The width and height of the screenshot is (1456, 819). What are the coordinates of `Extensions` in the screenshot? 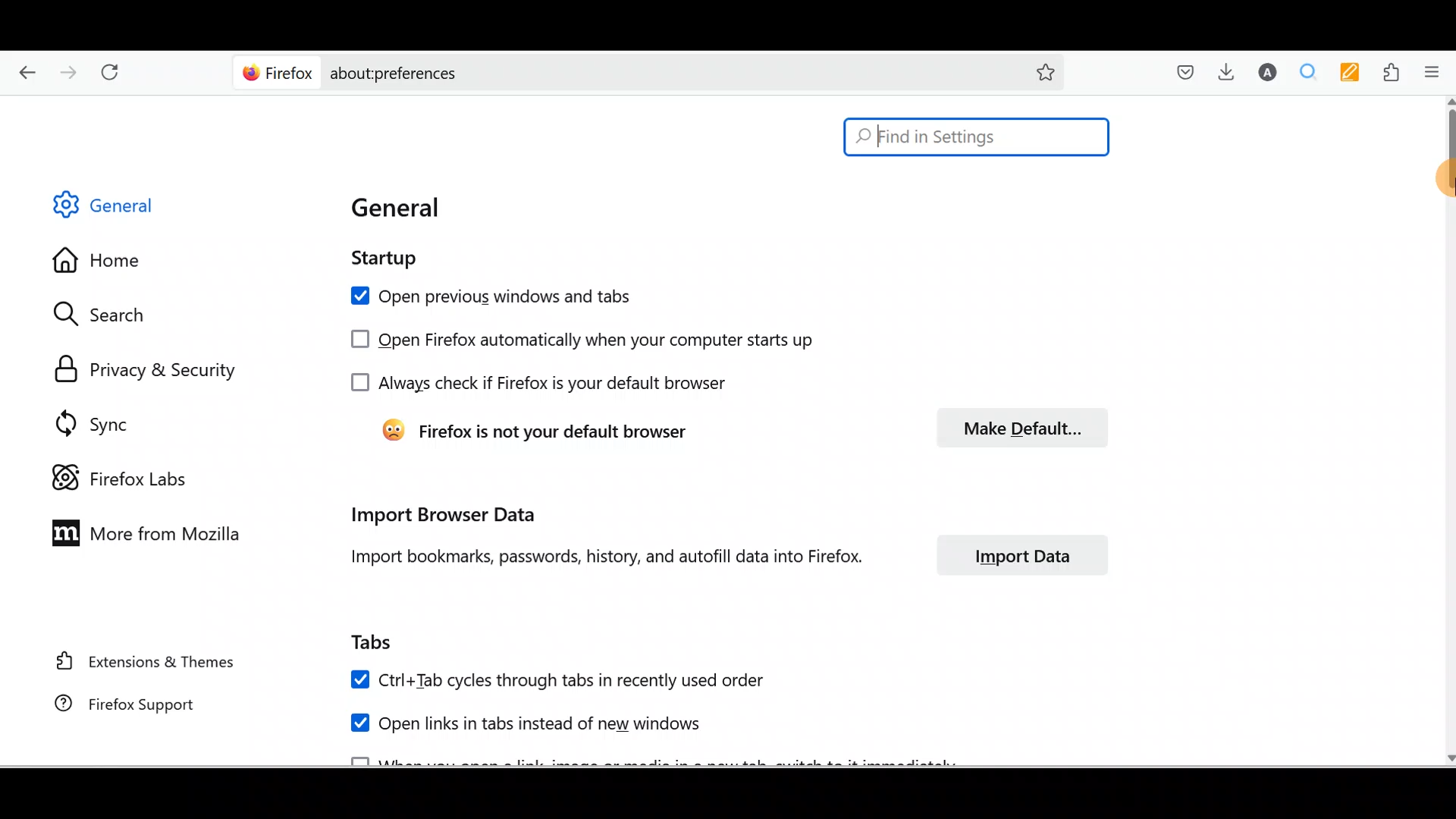 It's located at (1394, 71).